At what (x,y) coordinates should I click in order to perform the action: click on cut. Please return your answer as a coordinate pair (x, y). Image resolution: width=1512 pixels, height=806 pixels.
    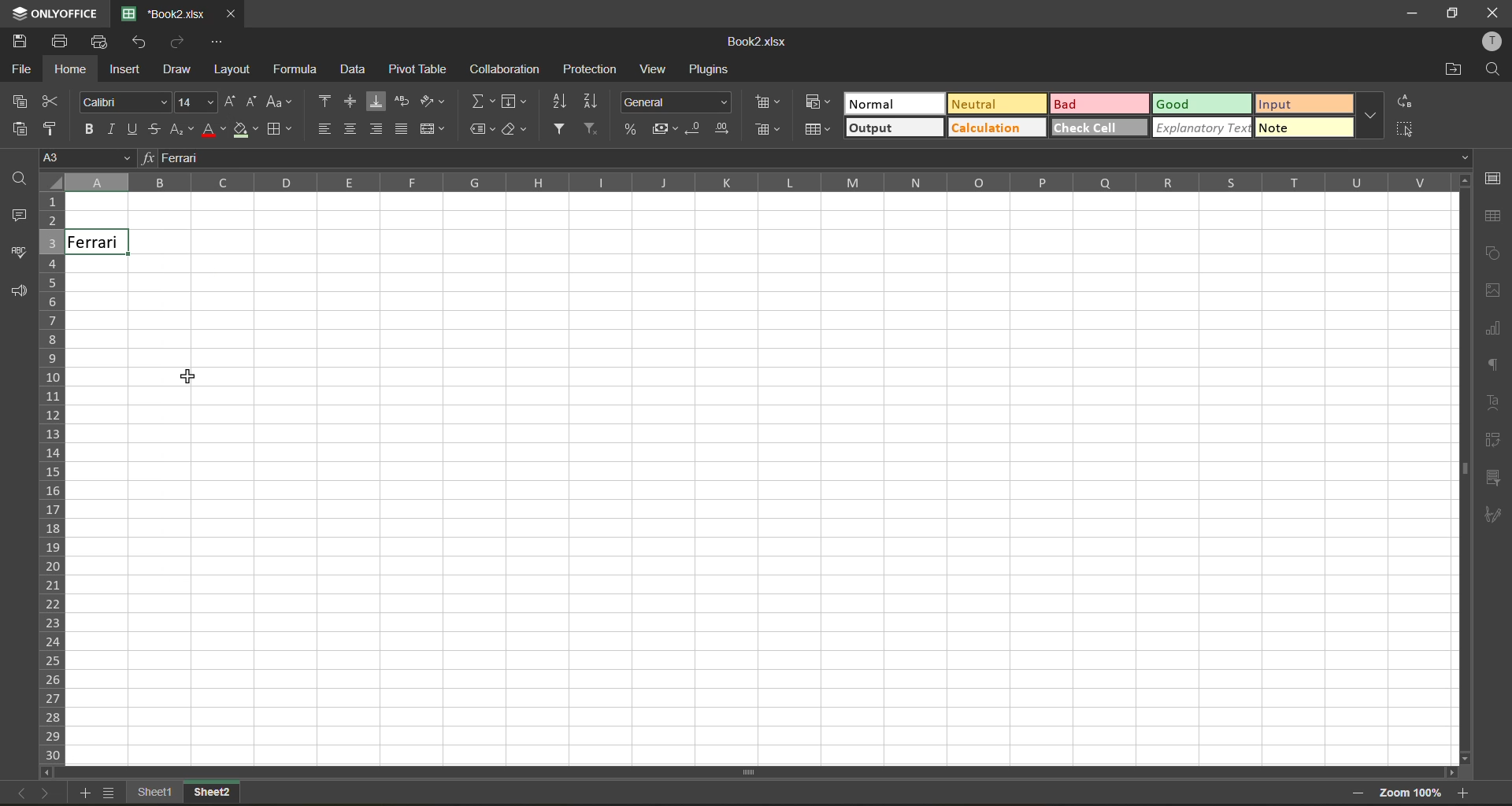
    Looking at the image, I should click on (52, 100).